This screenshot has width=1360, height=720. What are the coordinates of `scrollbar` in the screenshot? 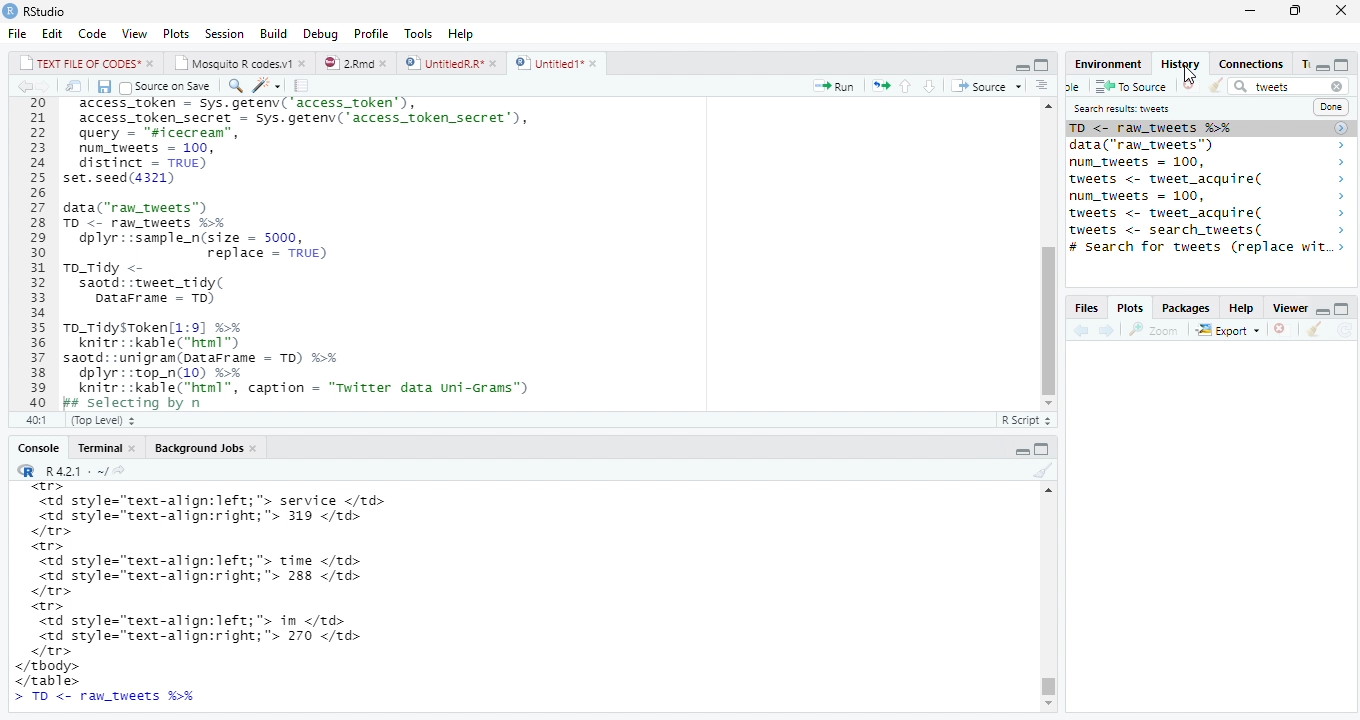 It's located at (1351, 203).